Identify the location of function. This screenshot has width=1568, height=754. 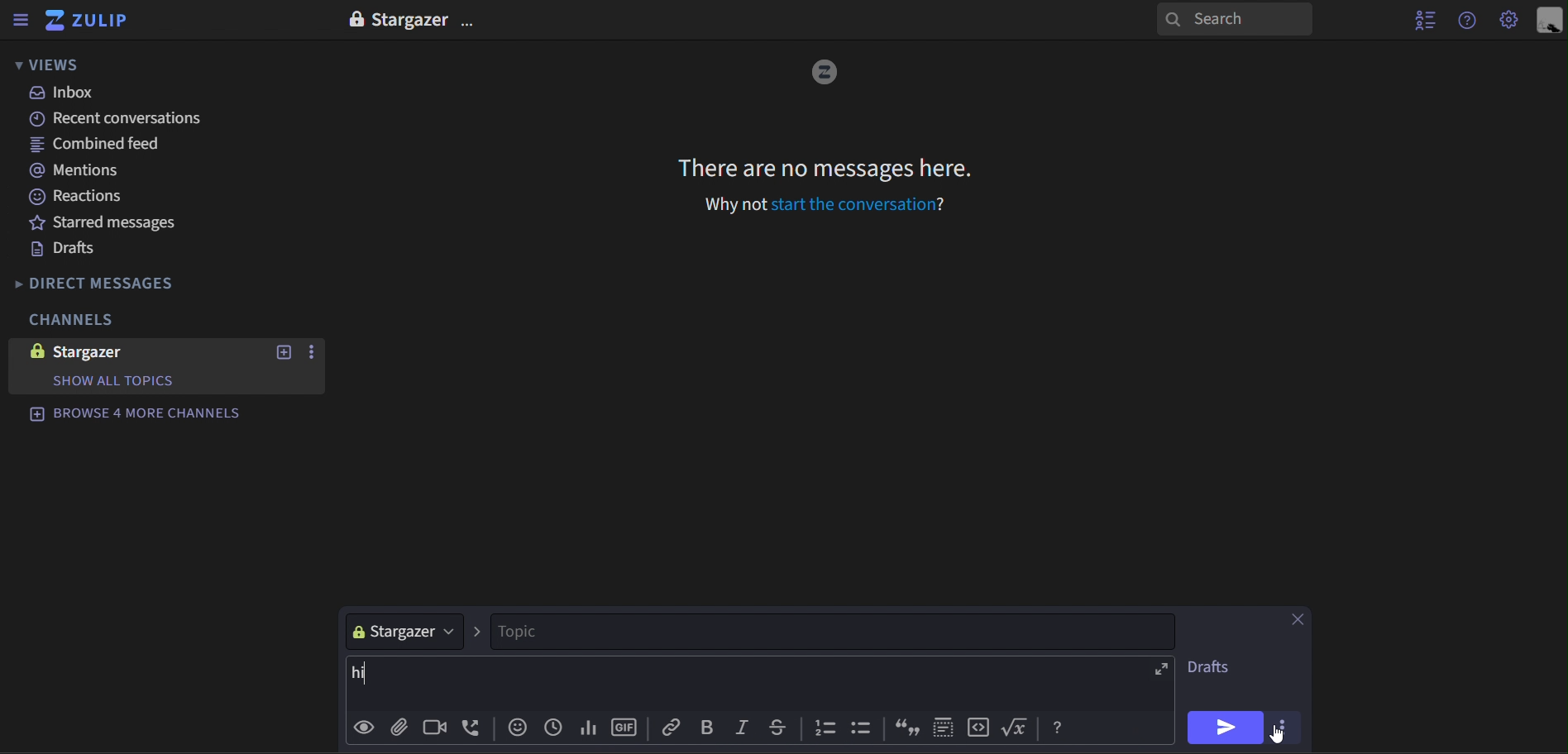
(1021, 725).